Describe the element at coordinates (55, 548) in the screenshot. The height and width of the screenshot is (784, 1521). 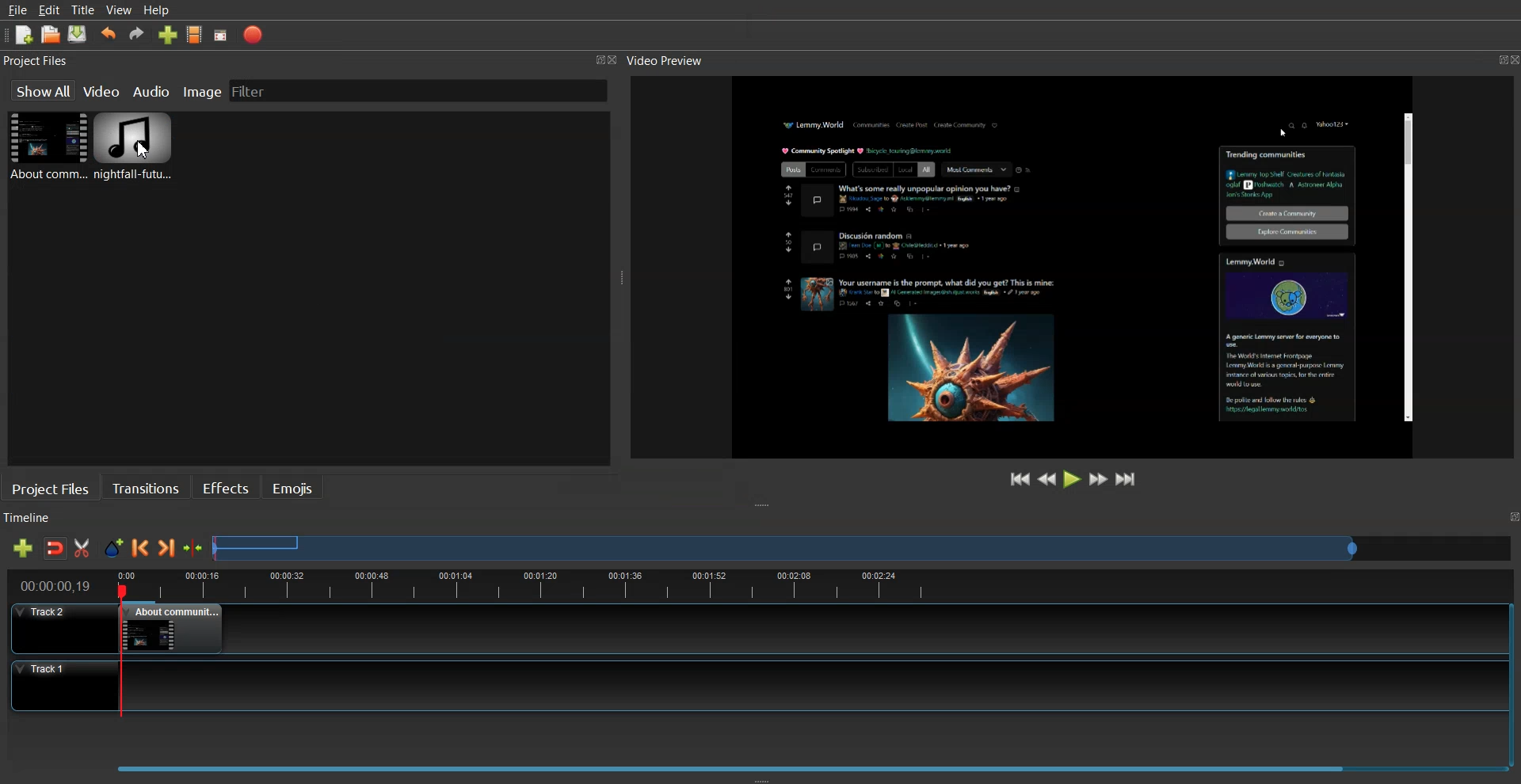
I see `Disable snaping` at that location.